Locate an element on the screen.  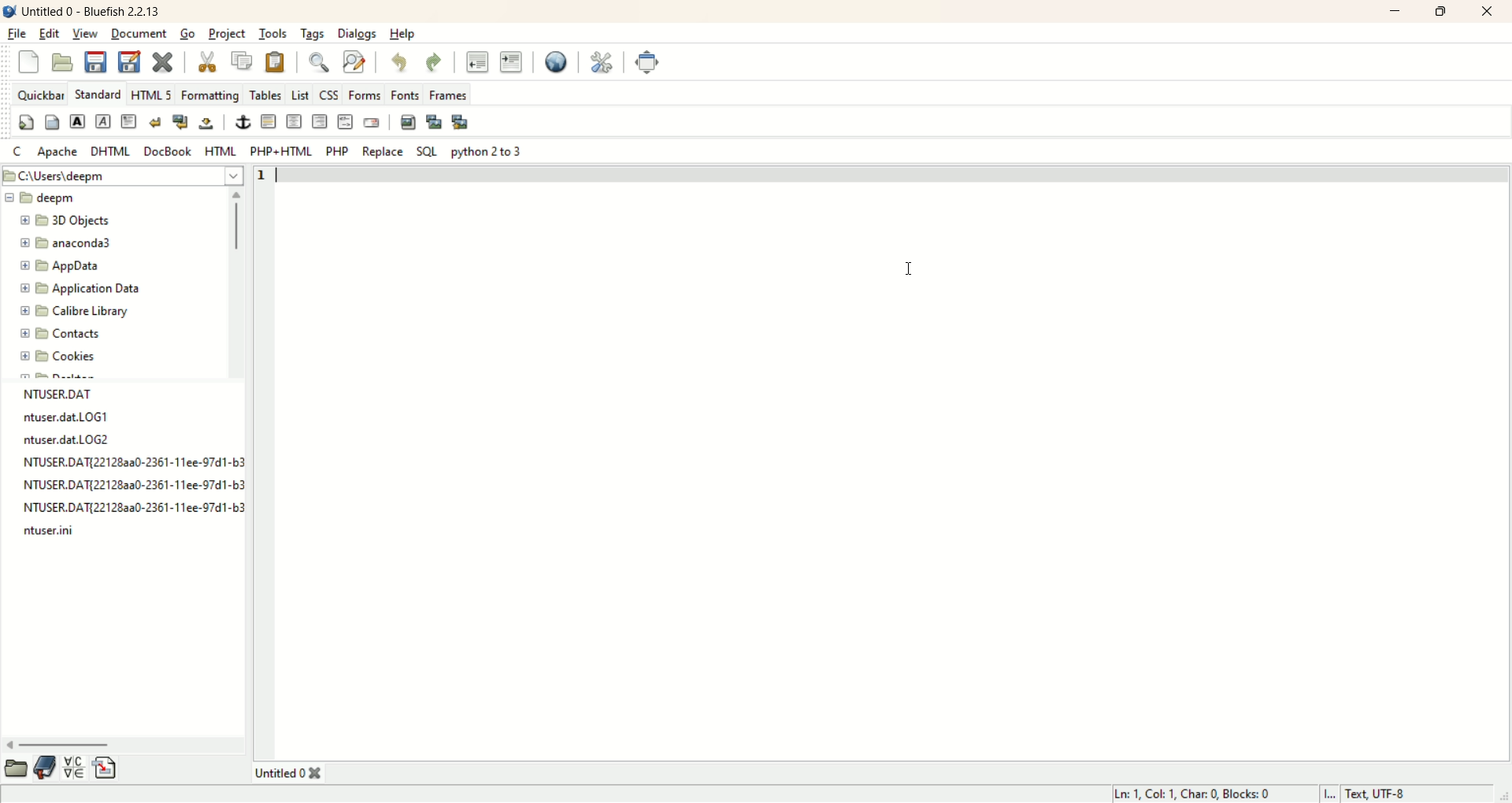
redo is located at coordinates (433, 62).